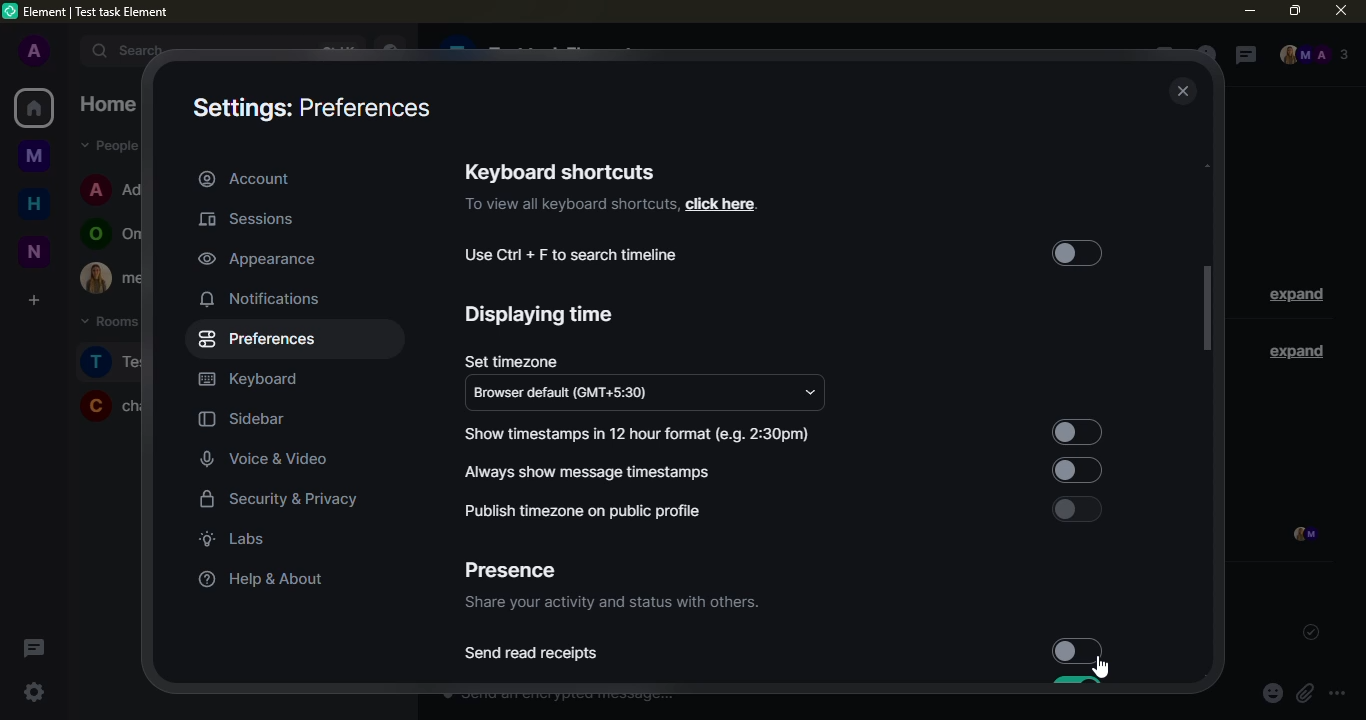 The width and height of the screenshot is (1366, 720). Describe the element at coordinates (256, 579) in the screenshot. I see `help` at that location.